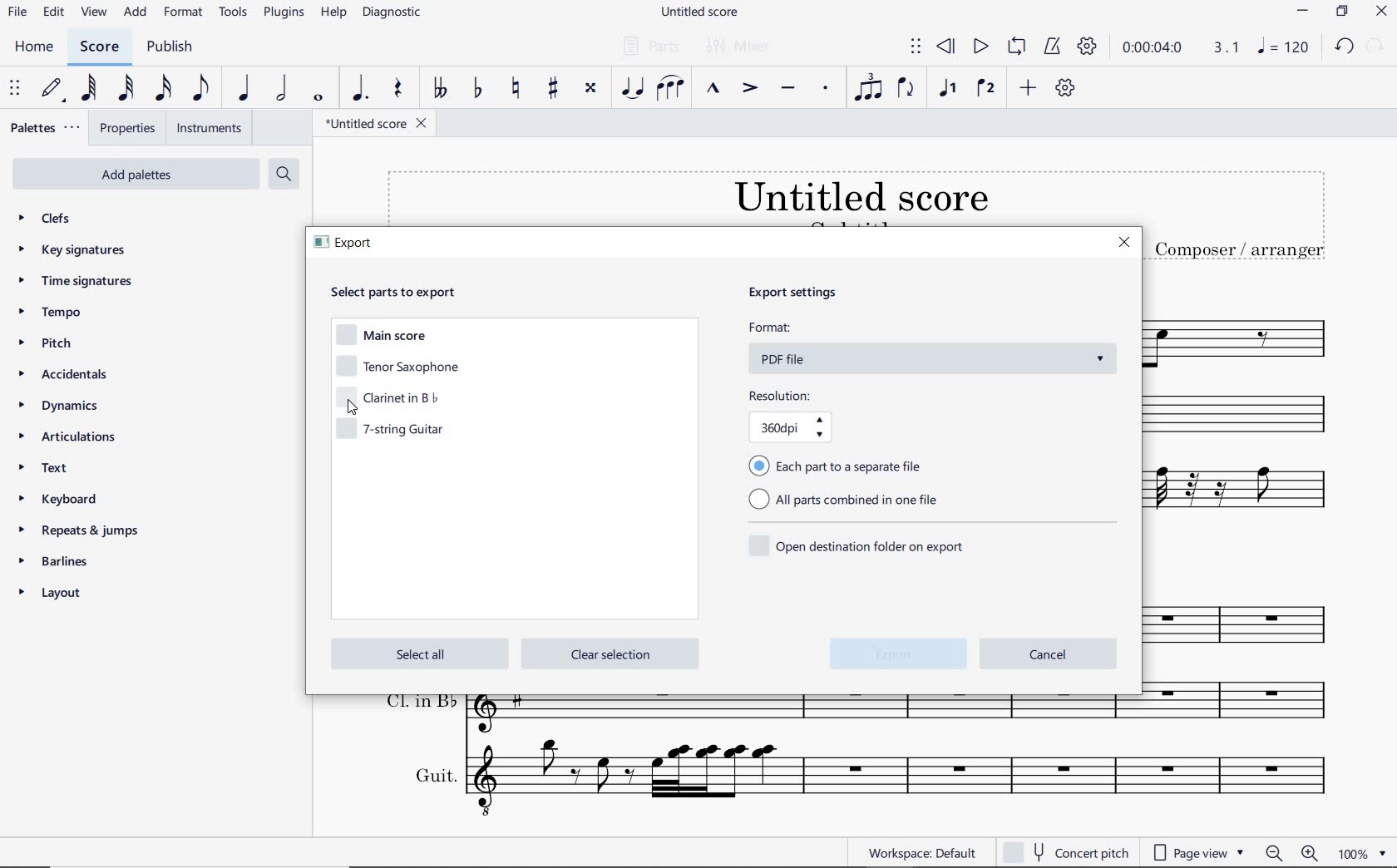  I want to click on MINIMIZE, so click(1302, 12).